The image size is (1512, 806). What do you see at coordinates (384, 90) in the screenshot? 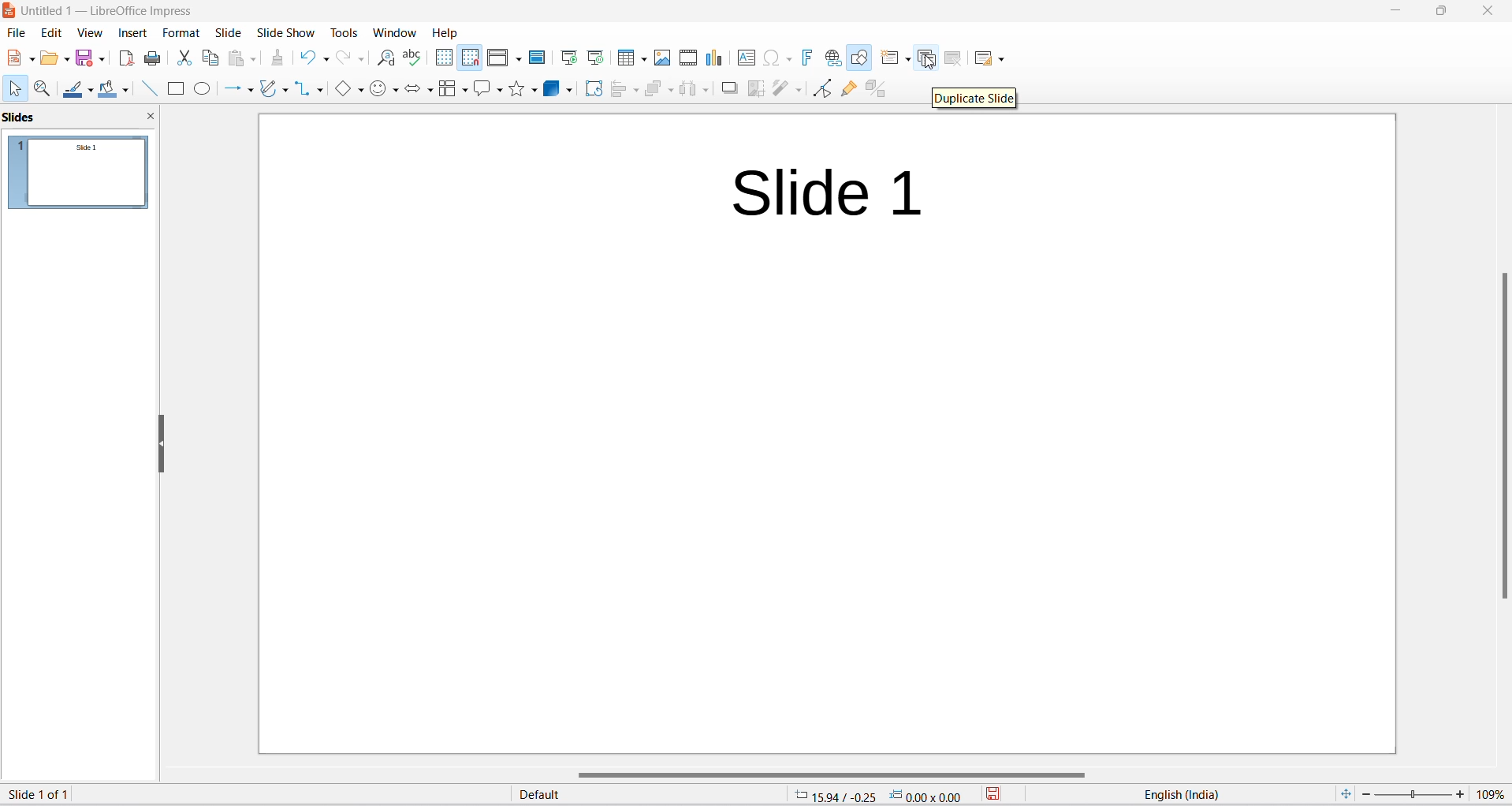
I see `Symbol shapes` at bounding box center [384, 90].